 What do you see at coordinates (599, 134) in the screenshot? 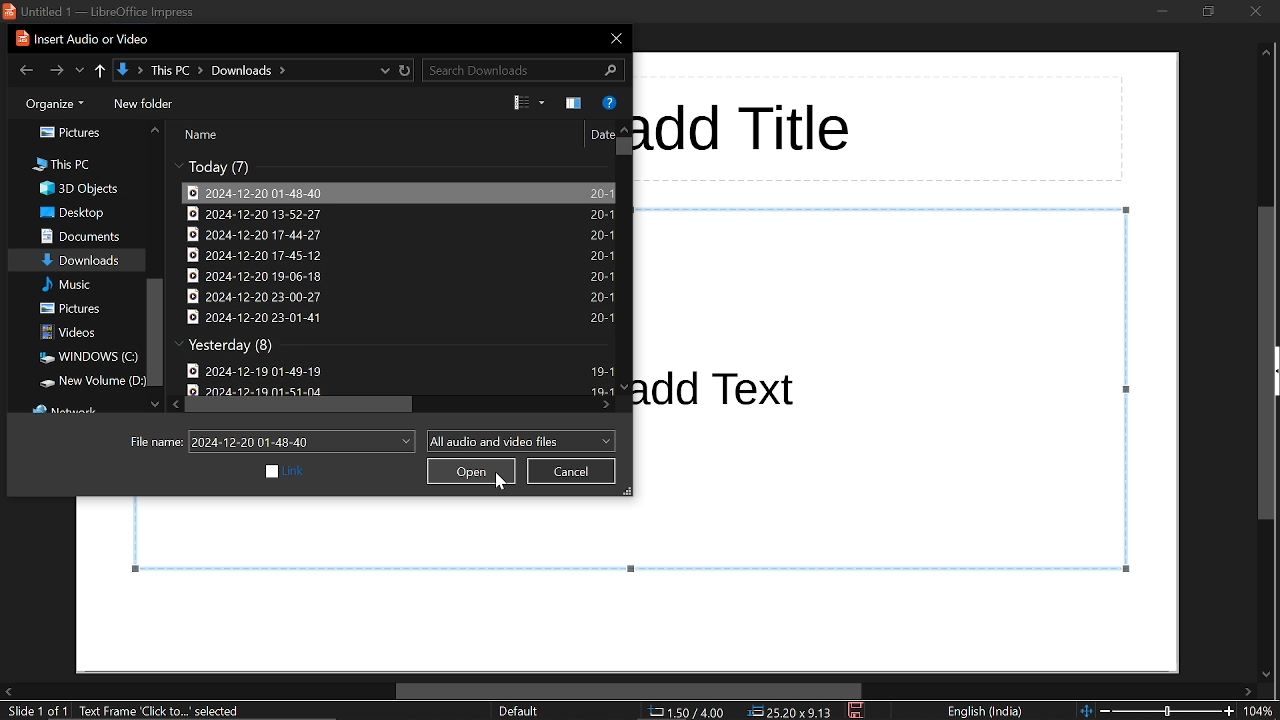
I see `date` at bounding box center [599, 134].